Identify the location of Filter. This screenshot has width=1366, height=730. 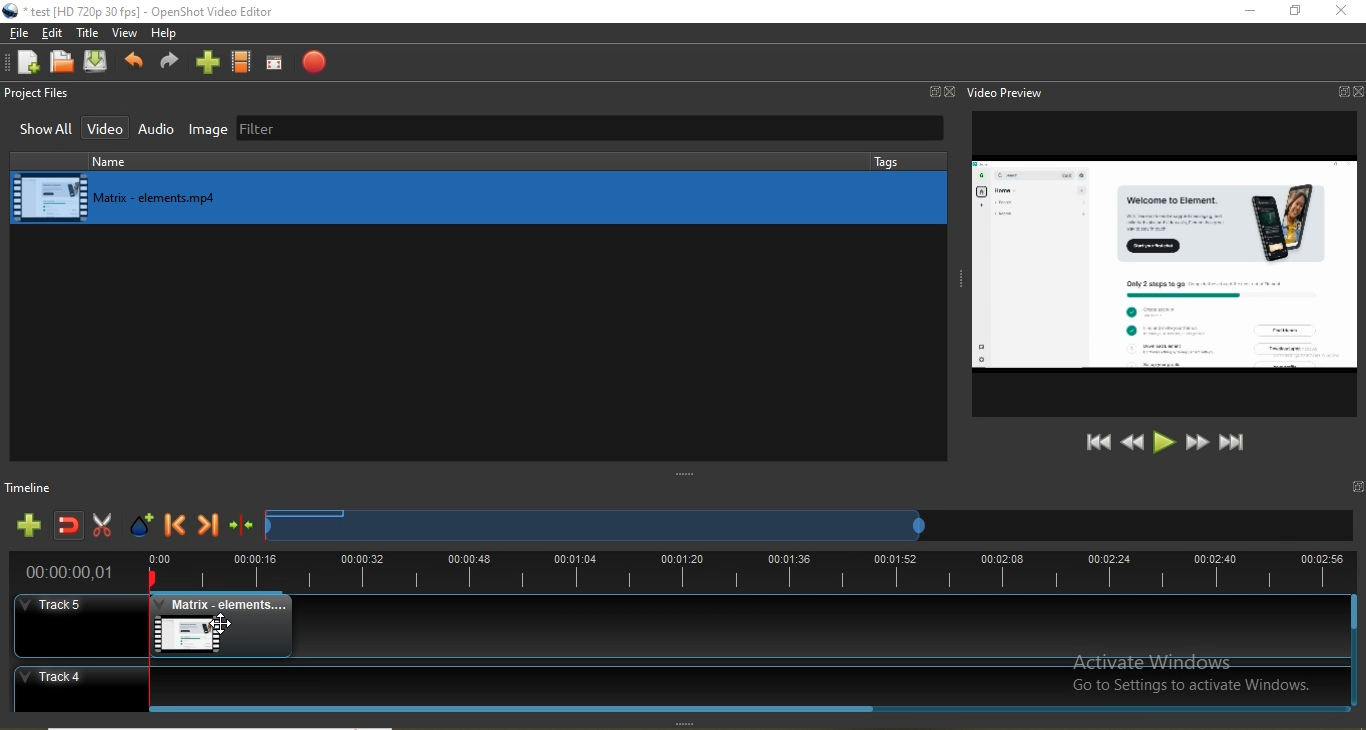
(590, 130).